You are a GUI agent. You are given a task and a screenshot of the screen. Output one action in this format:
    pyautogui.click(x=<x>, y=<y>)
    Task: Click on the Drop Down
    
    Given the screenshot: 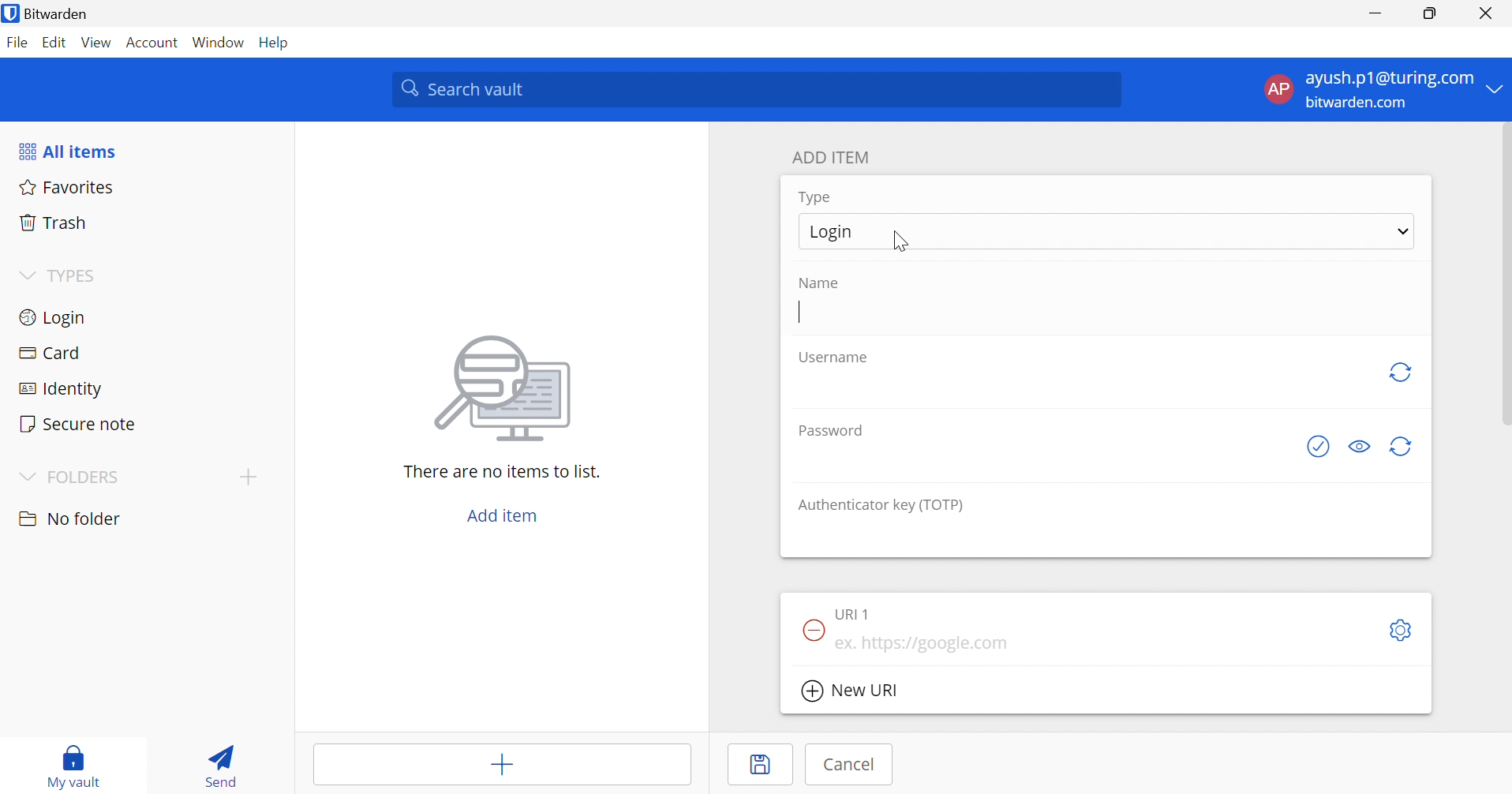 What is the action you would take?
    pyautogui.click(x=1403, y=233)
    